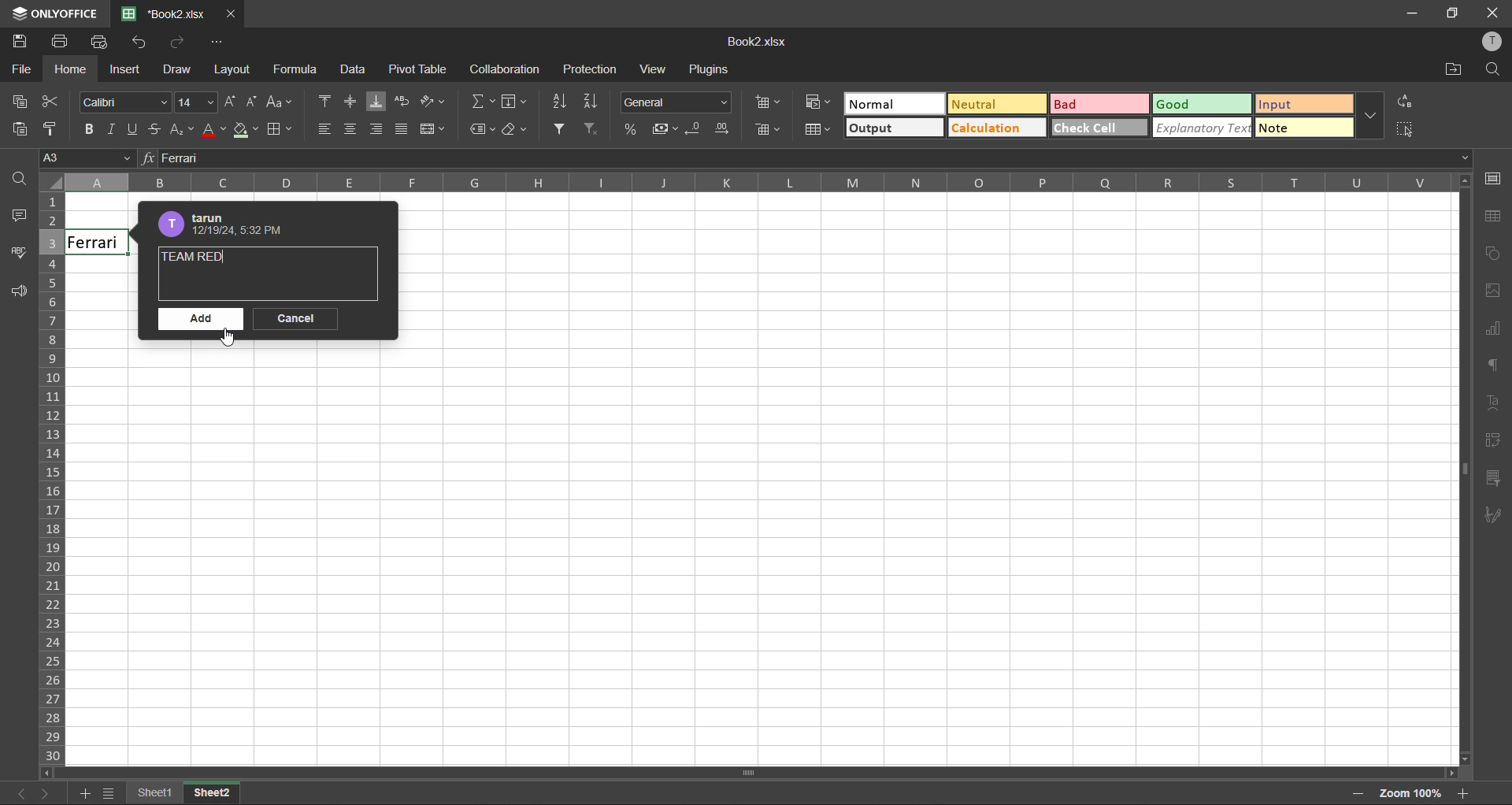  I want to click on quick print, so click(97, 42).